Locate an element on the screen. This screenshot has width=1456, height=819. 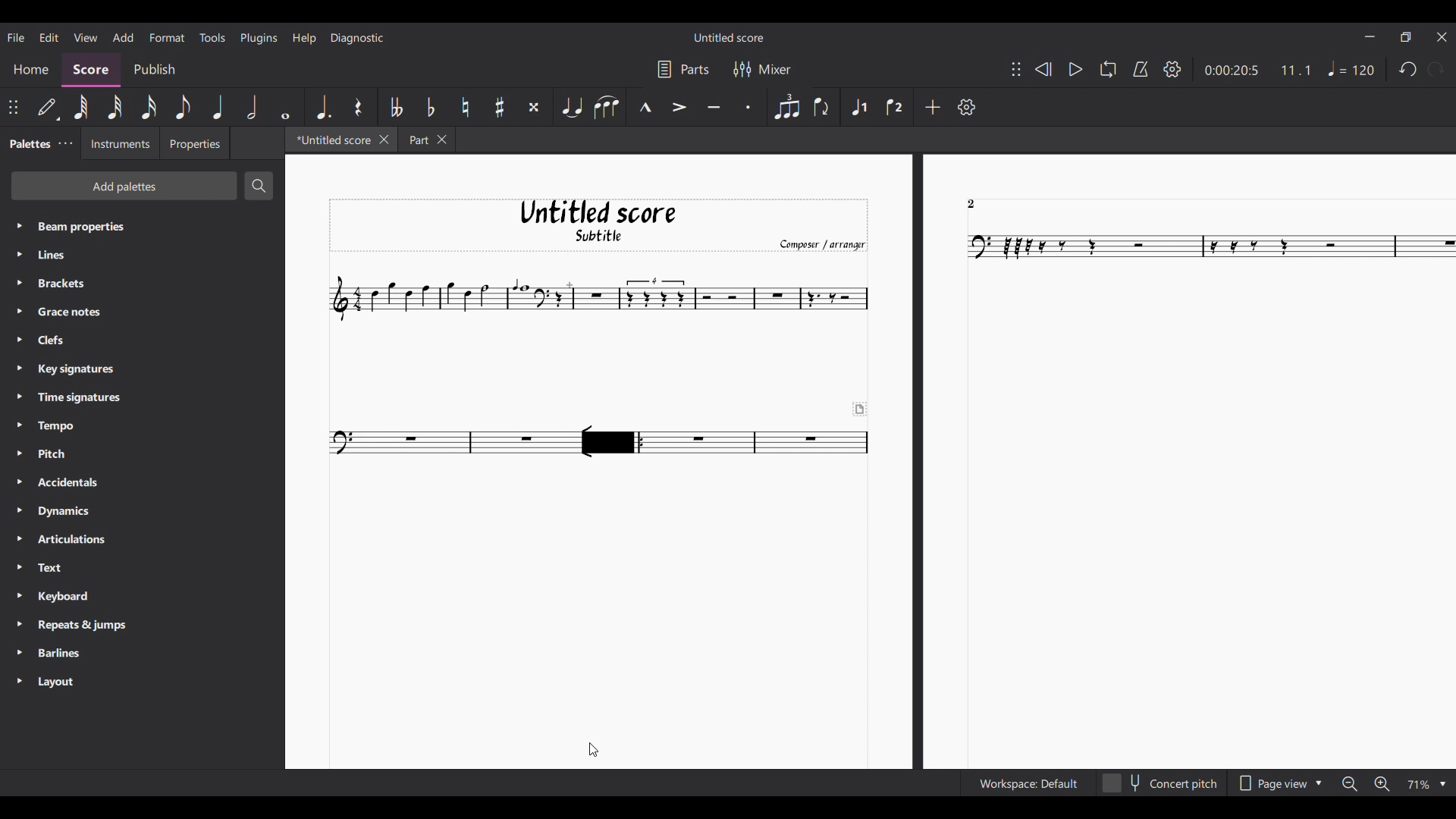
Diagnostic menu is located at coordinates (357, 39).